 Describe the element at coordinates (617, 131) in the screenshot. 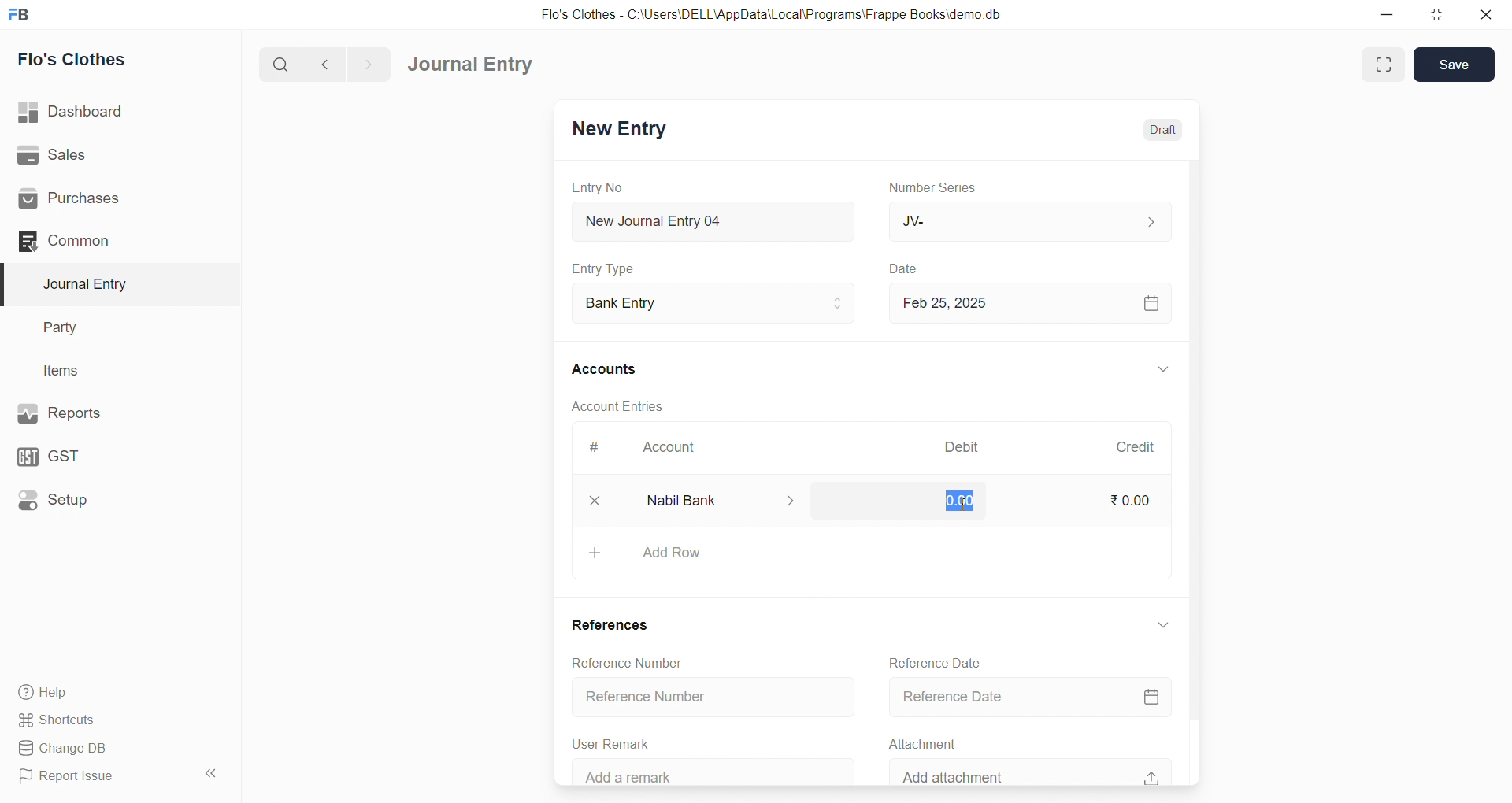

I see `New Entry` at that location.